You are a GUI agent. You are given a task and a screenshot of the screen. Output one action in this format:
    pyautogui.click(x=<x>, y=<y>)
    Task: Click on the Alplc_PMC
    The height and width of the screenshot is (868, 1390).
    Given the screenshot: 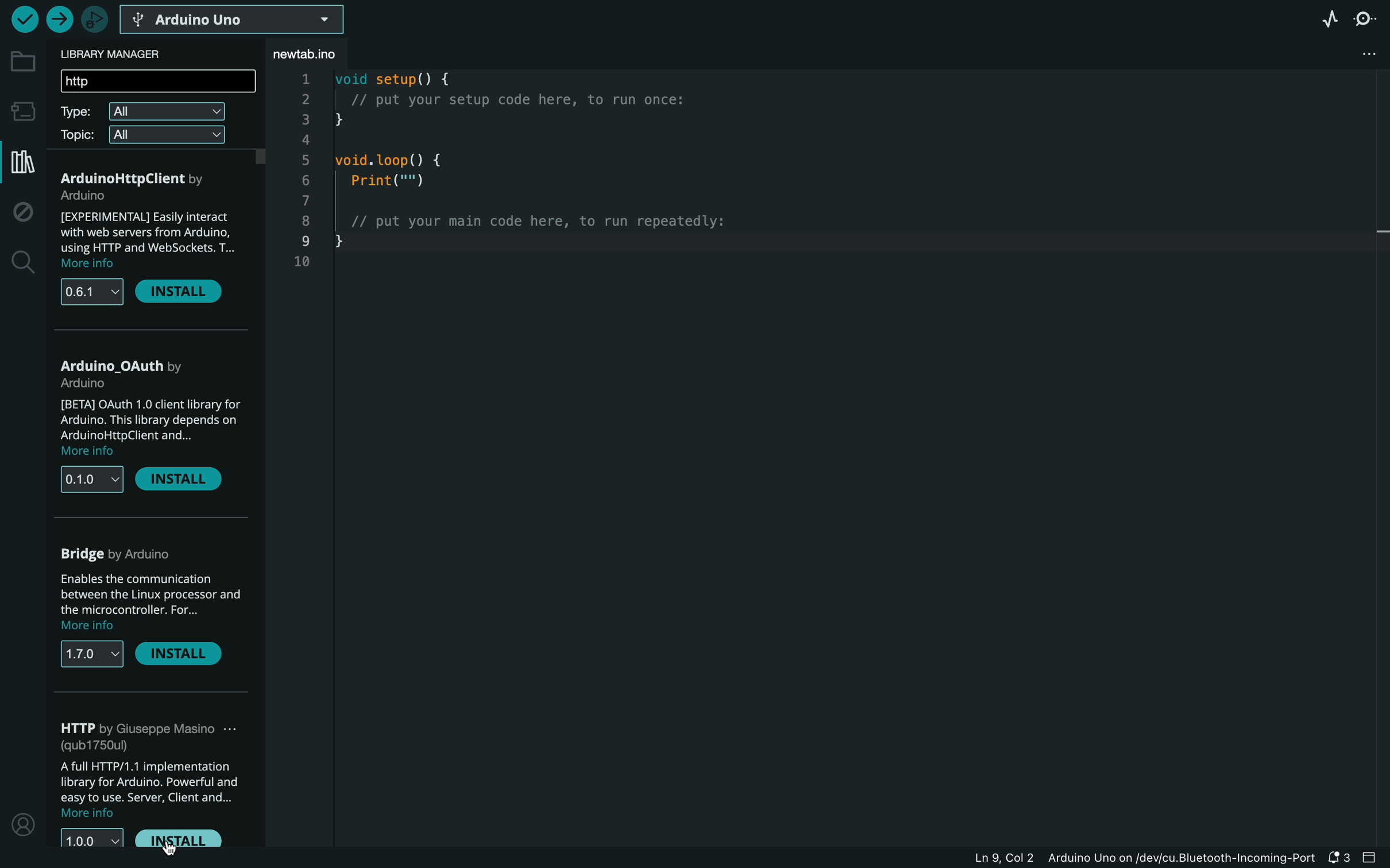 What is the action you would take?
    pyautogui.click(x=136, y=363)
    